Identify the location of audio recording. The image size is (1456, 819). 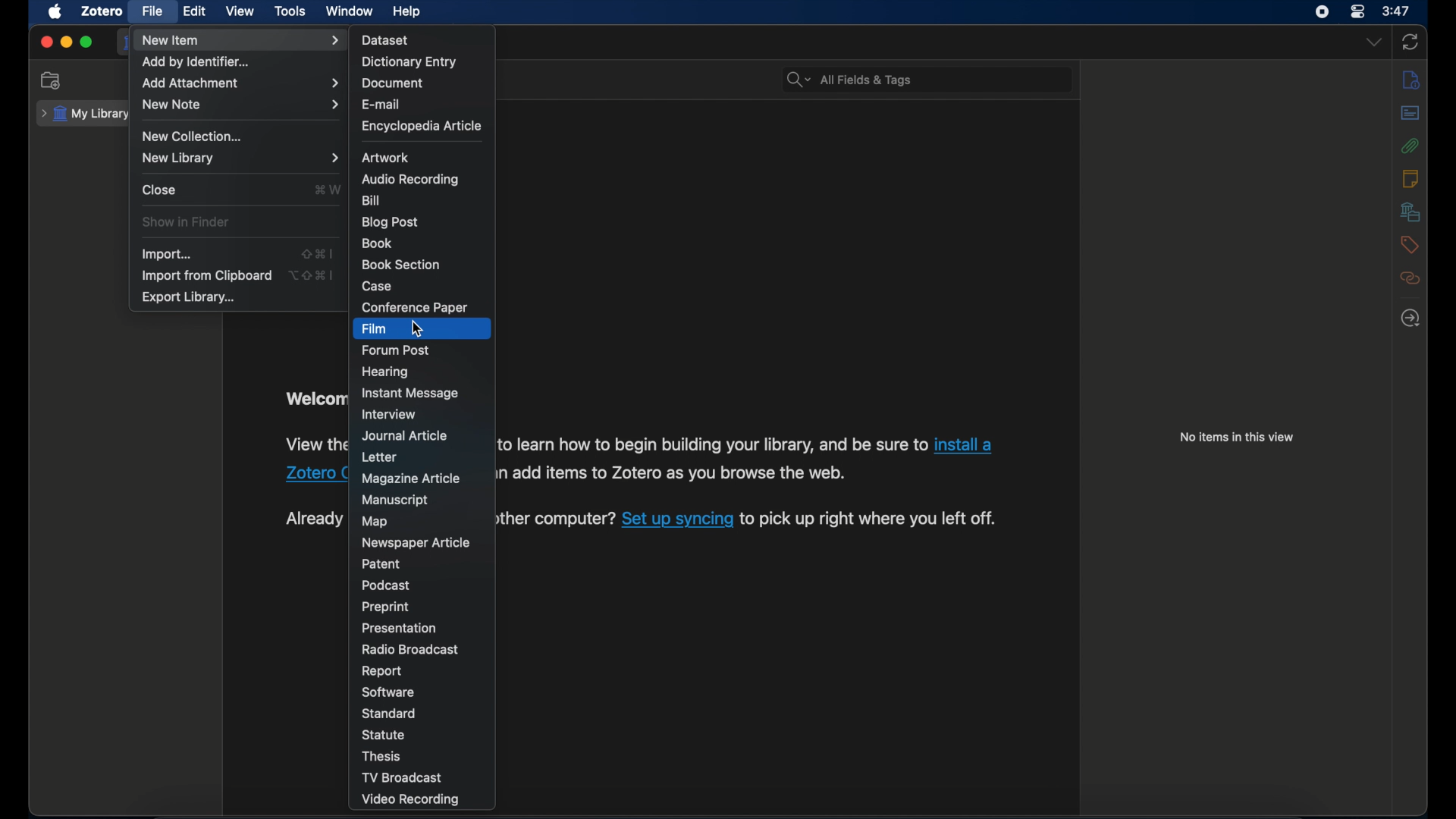
(411, 179).